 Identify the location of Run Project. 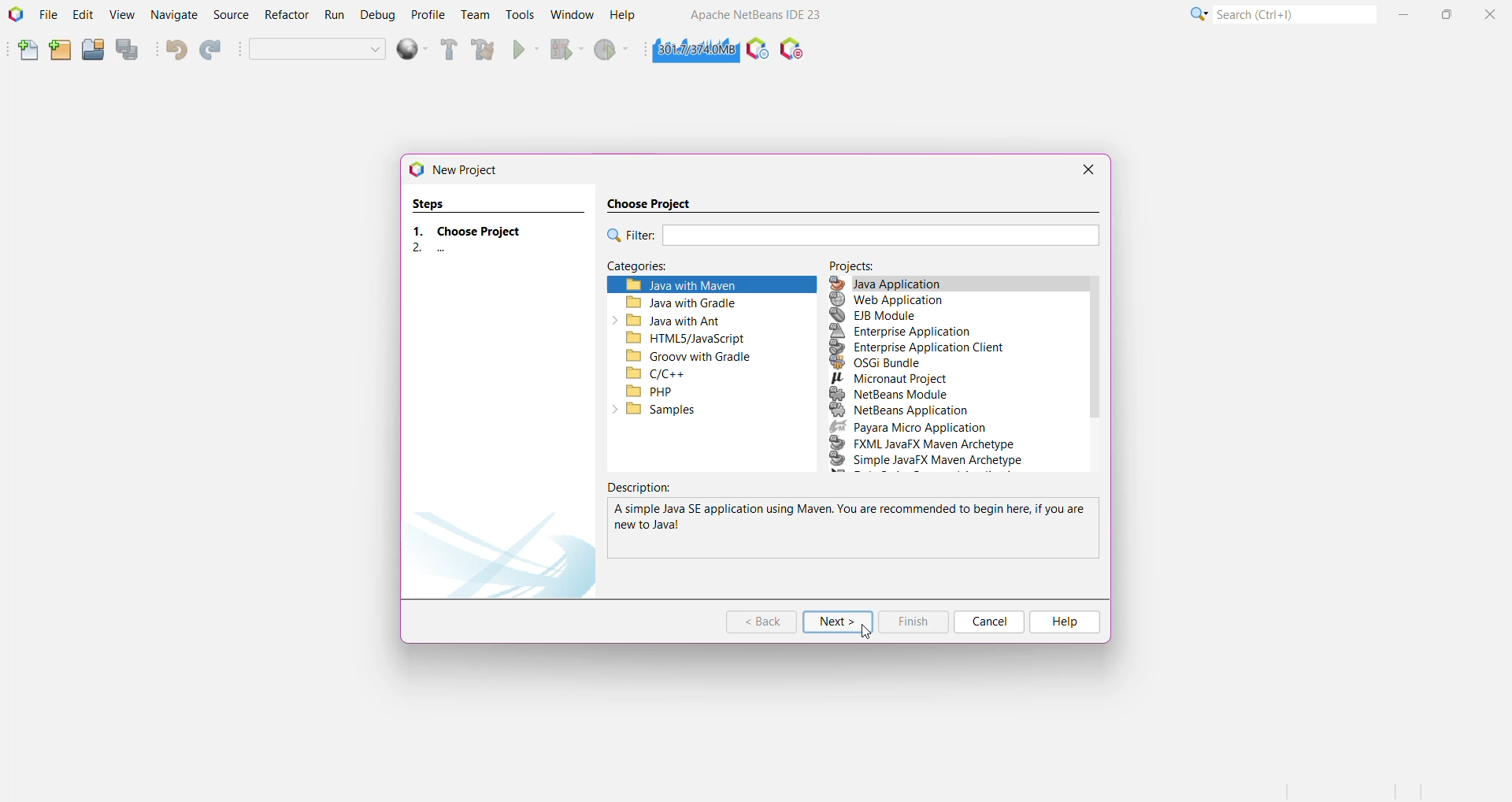
(521, 50).